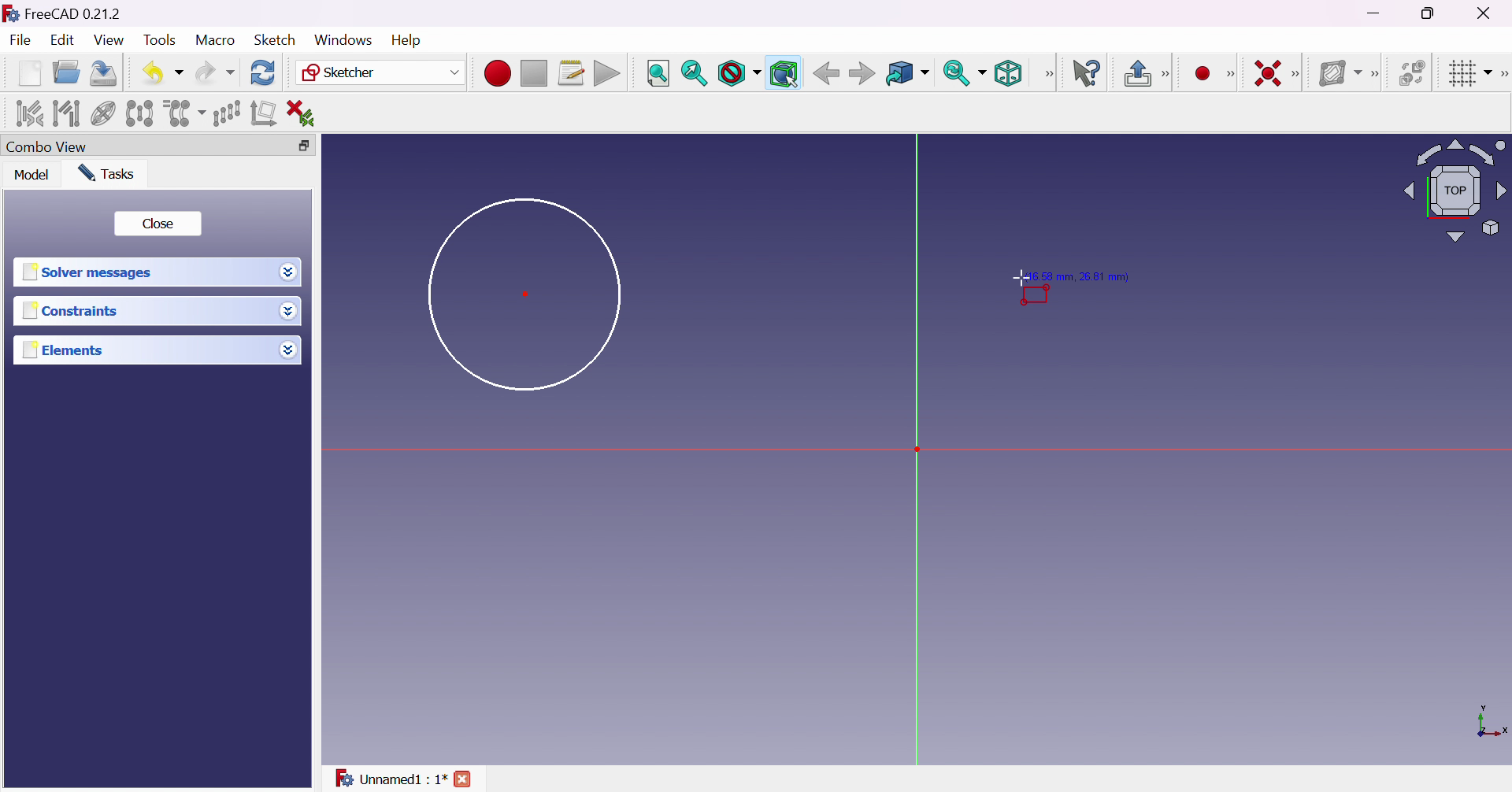 The image size is (1512, 792). Describe the element at coordinates (1415, 72) in the screenshot. I see `Switch virtual space` at that location.